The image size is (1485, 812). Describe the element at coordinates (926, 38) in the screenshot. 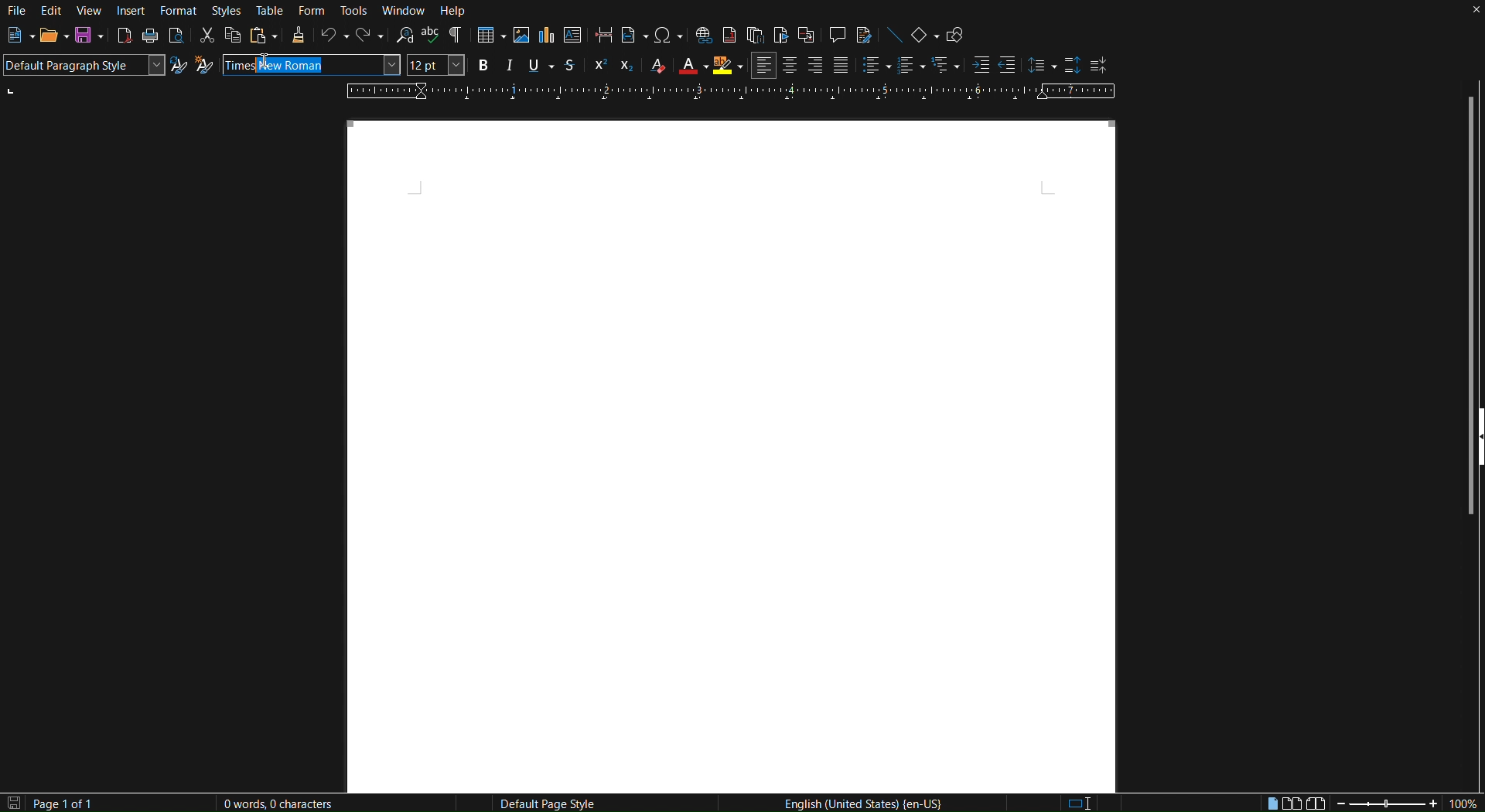

I see `Basic Shapes` at that location.